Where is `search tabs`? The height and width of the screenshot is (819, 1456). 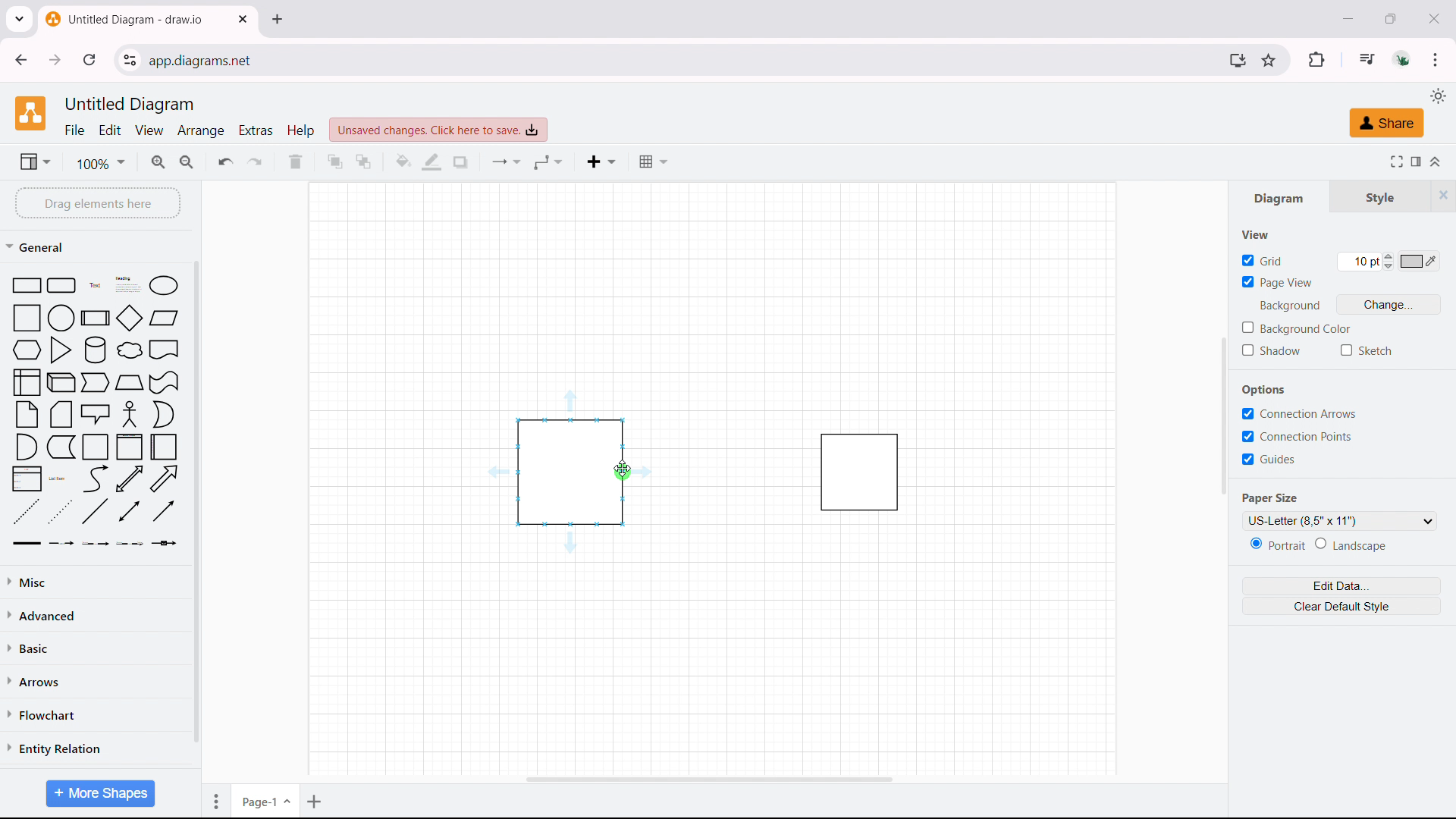 search tabs is located at coordinates (19, 20).